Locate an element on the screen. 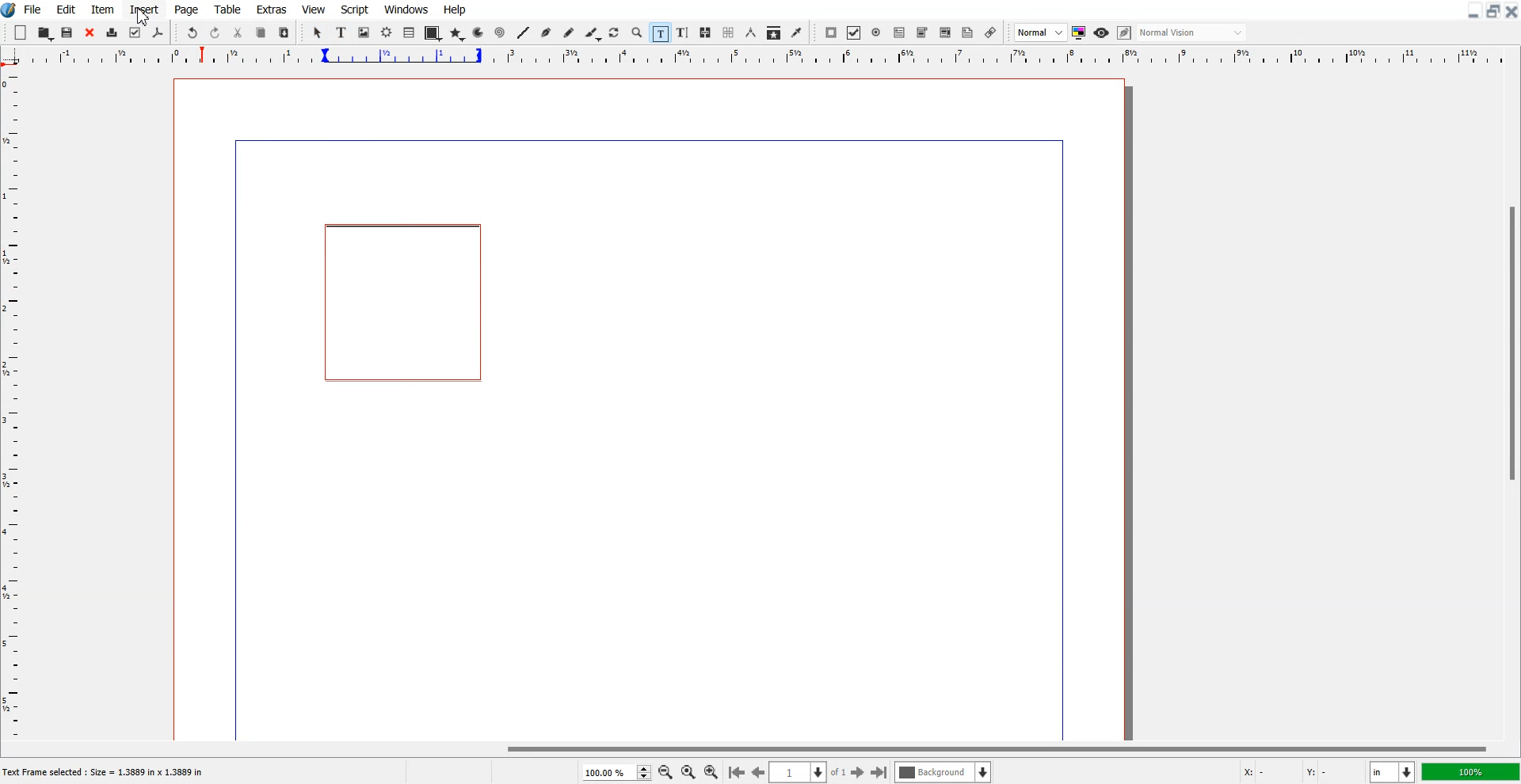 The height and width of the screenshot is (784, 1521). Select Zoom Level is located at coordinates (618, 772).